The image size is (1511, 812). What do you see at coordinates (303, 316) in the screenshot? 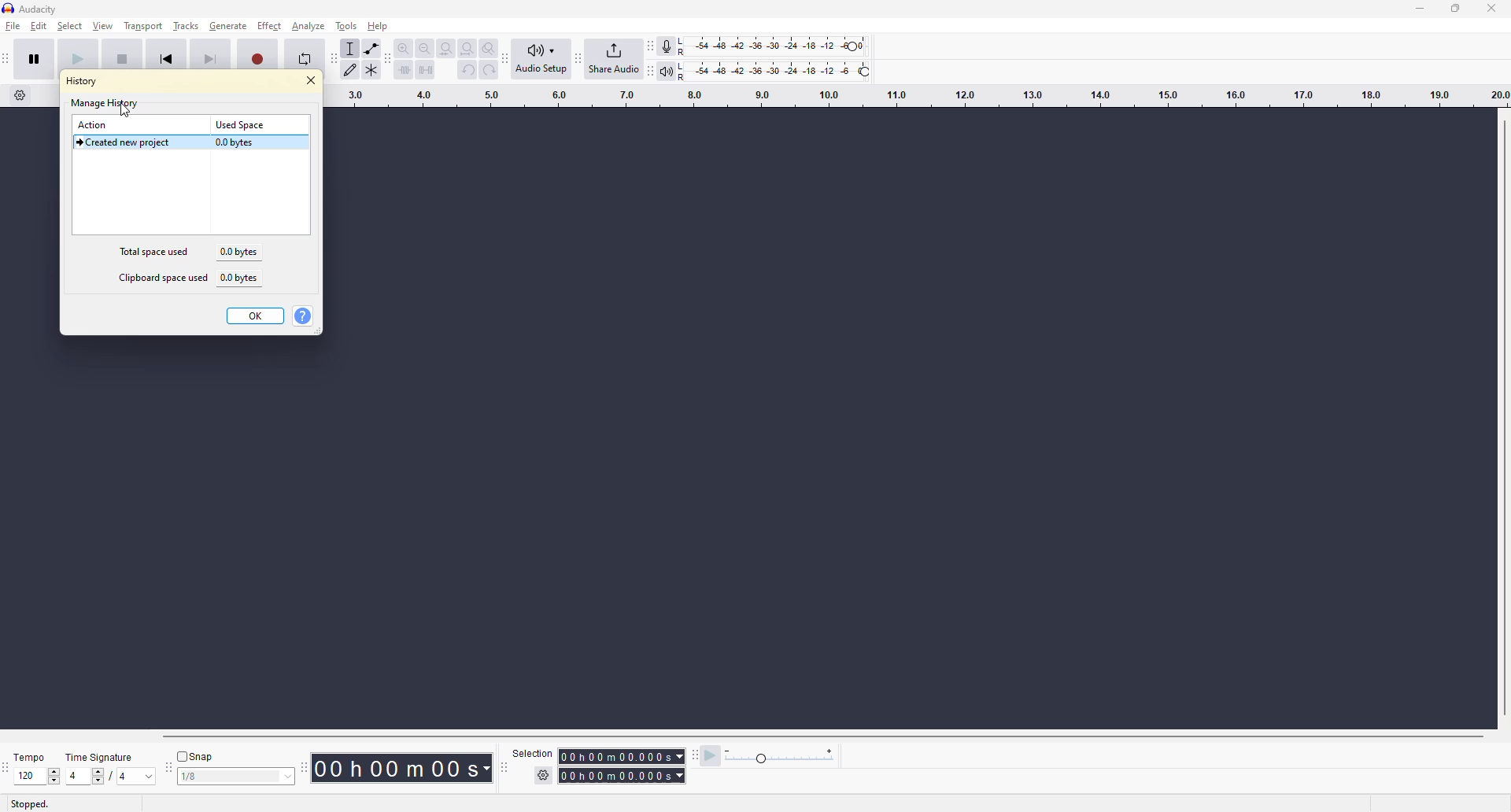
I see `Help` at bounding box center [303, 316].